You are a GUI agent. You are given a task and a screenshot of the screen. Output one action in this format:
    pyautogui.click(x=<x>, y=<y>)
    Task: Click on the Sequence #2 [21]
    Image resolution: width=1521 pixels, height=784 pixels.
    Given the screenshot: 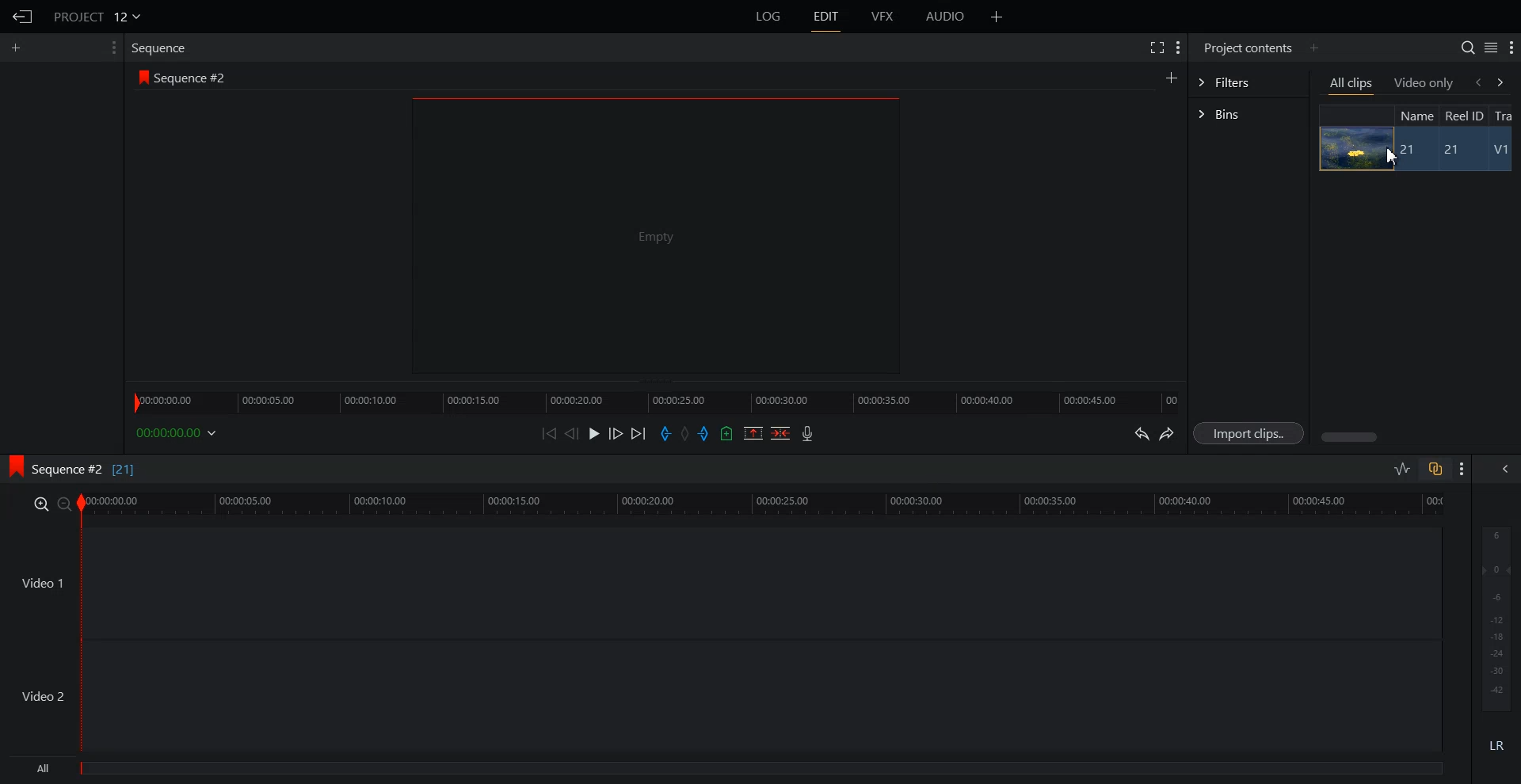 What is the action you would take?
    pyautogui.click(x=85, y=470)
    